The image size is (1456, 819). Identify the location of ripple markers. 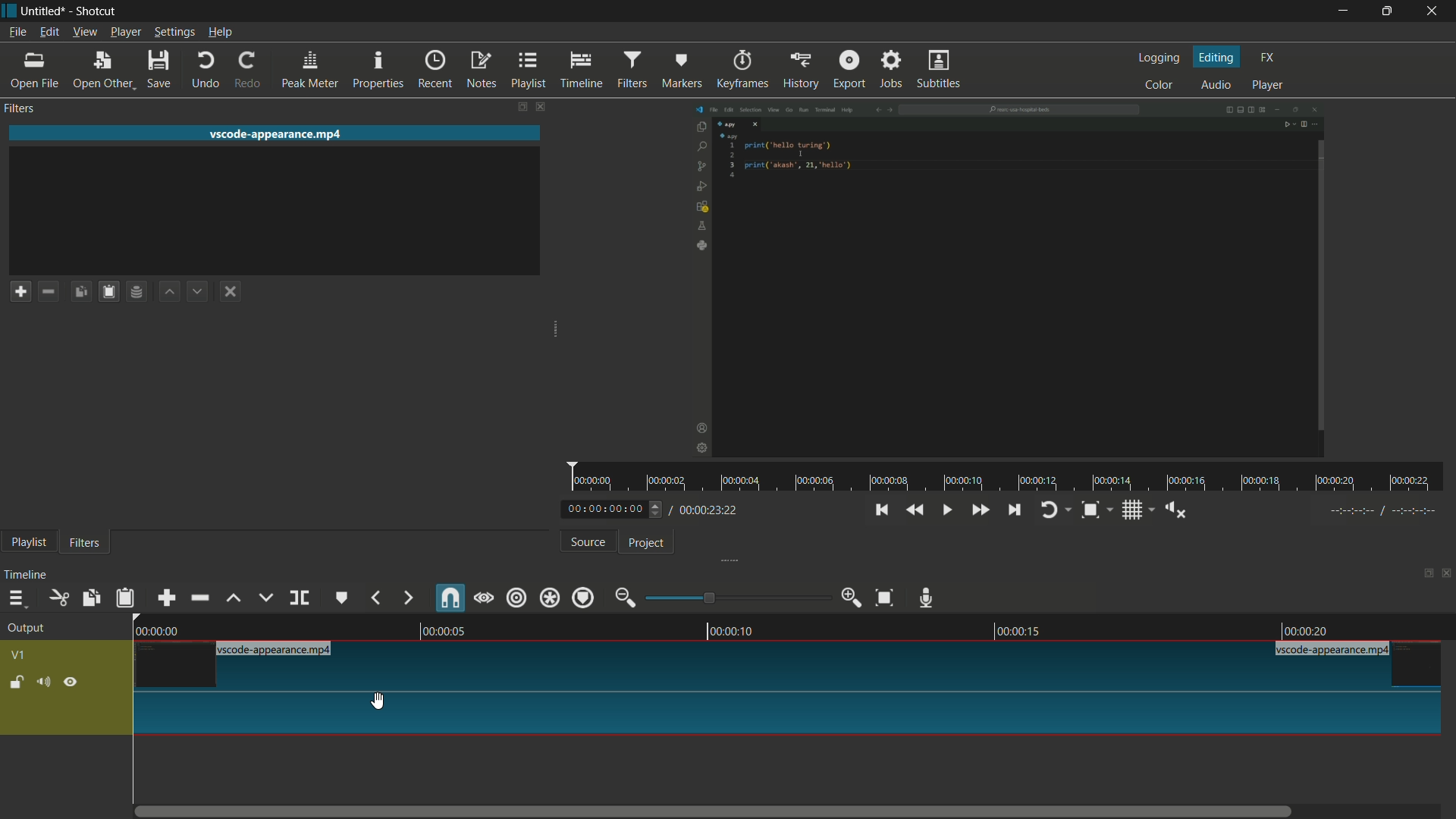
(584, 598).